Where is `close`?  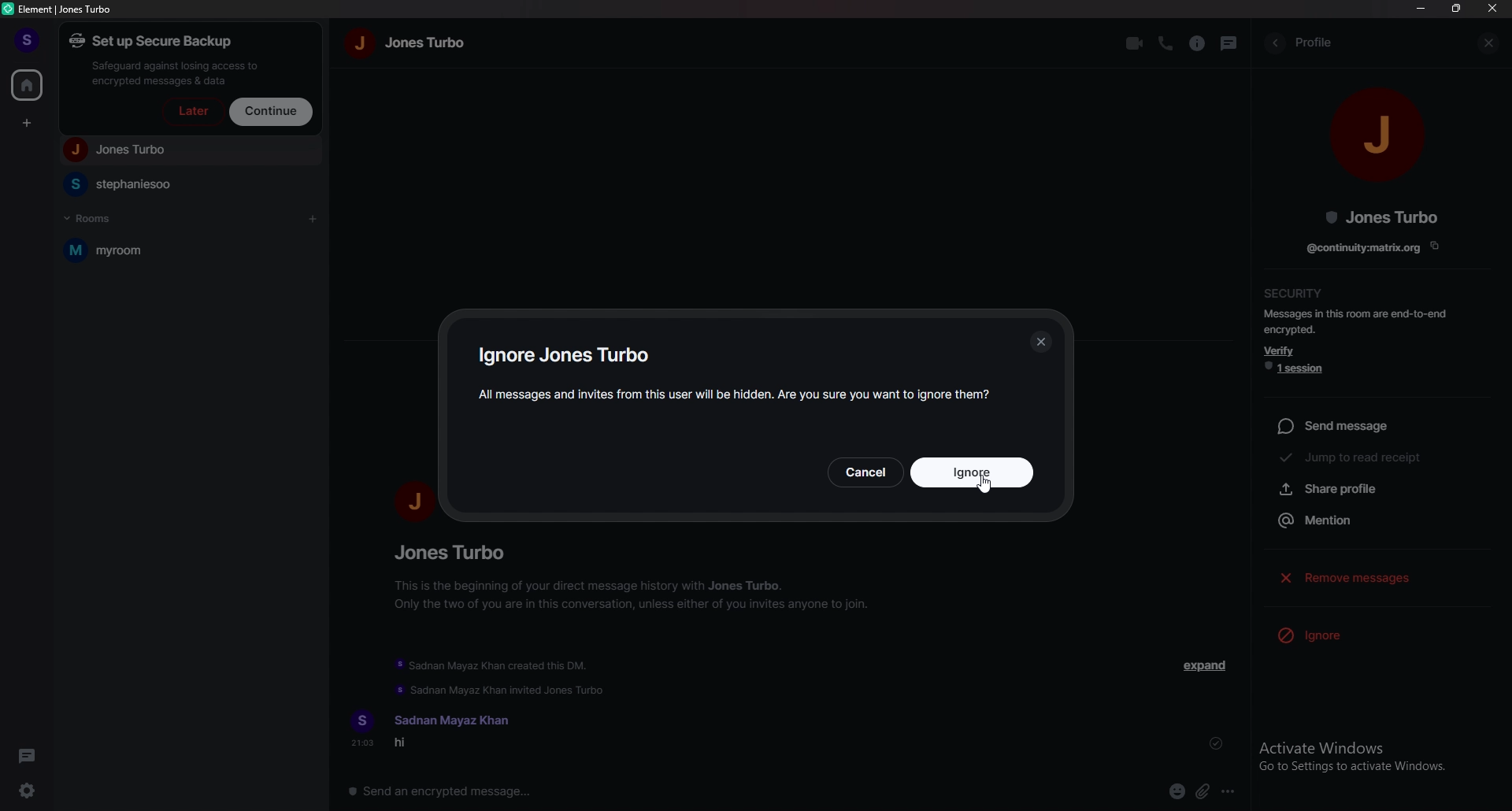 close is located at coordinates (1493, 9).